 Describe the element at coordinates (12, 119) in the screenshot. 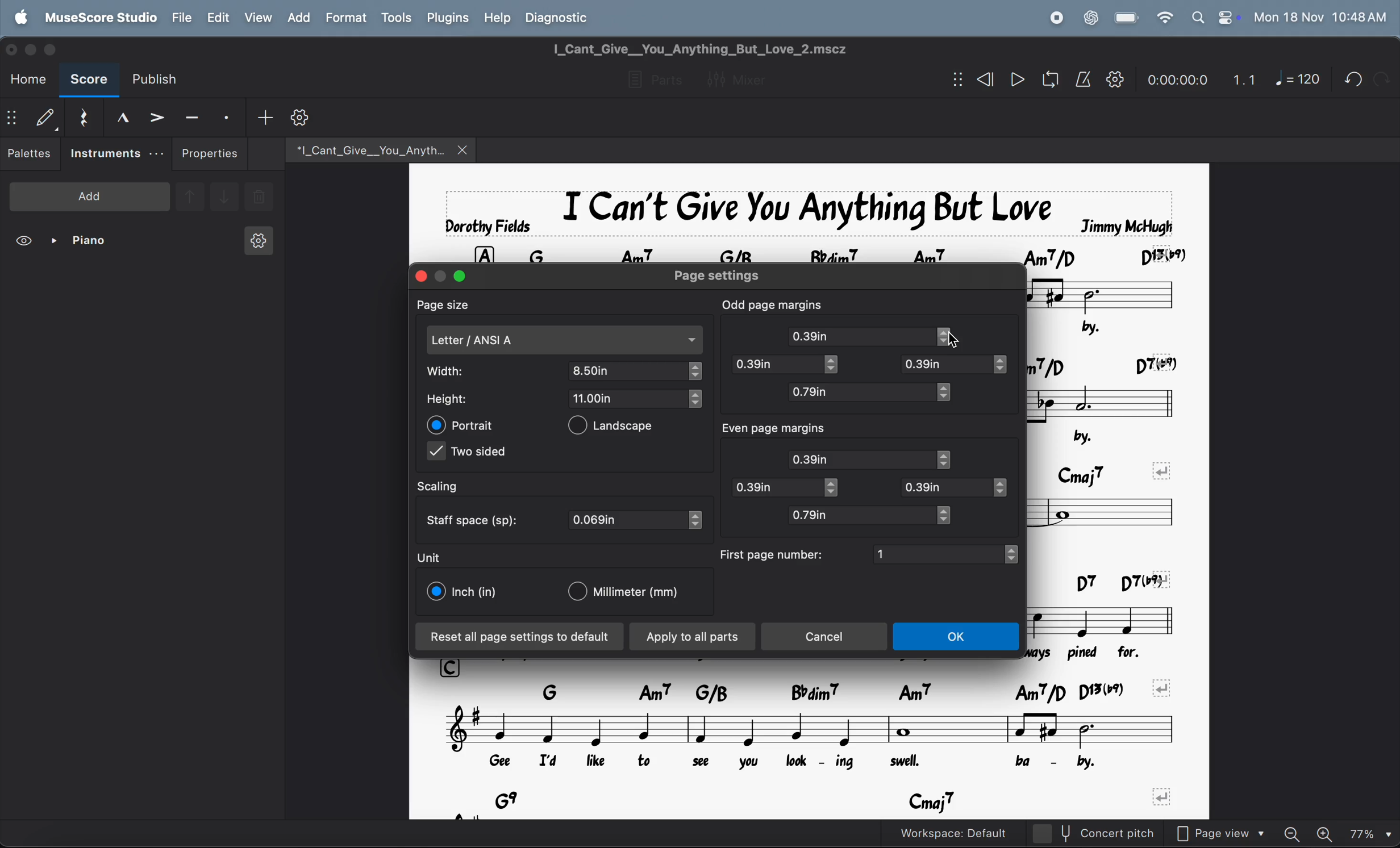

I see `show/hide` at that location.